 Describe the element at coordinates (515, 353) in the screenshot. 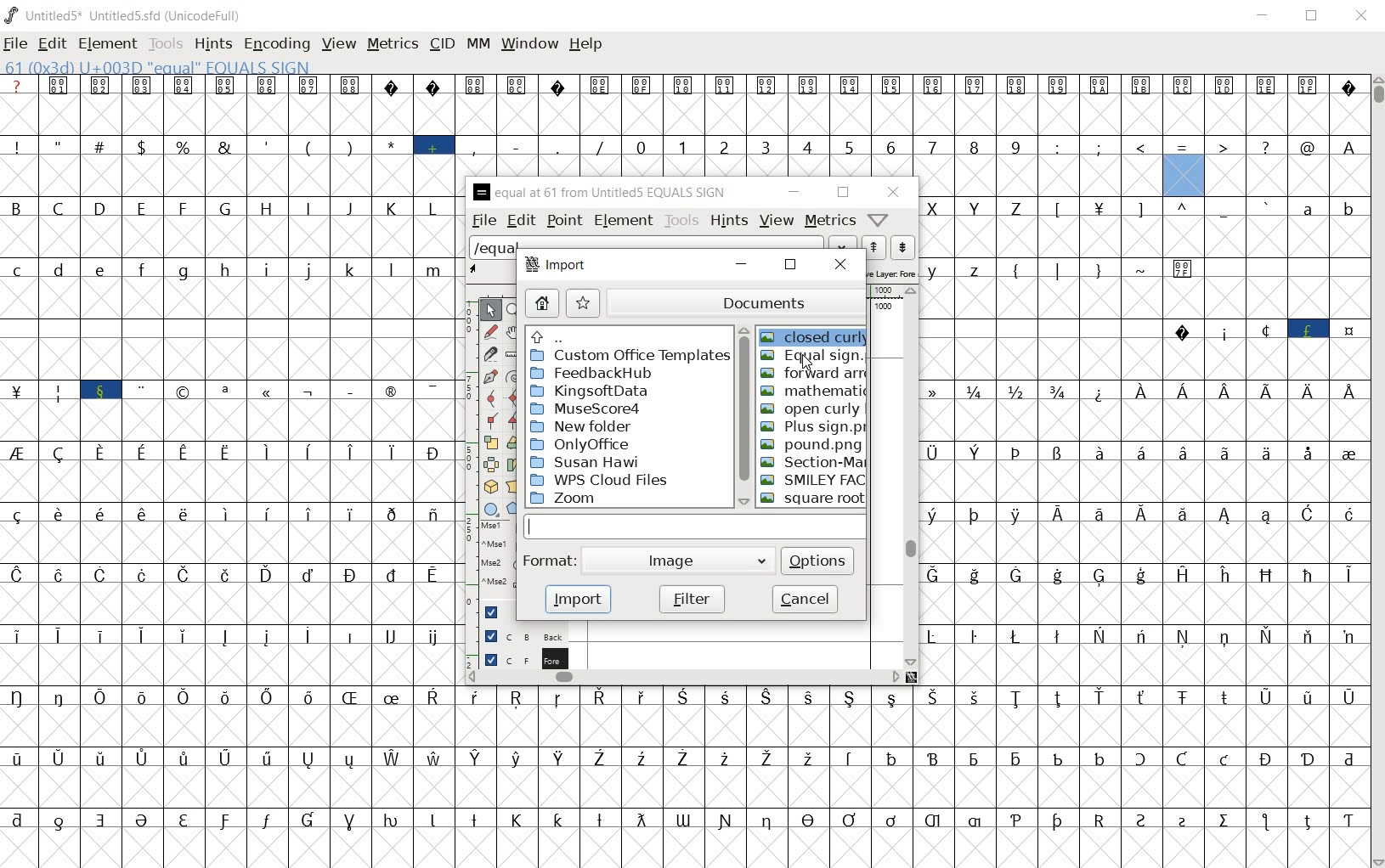

I see `measure a distance, angle between points` at that location.